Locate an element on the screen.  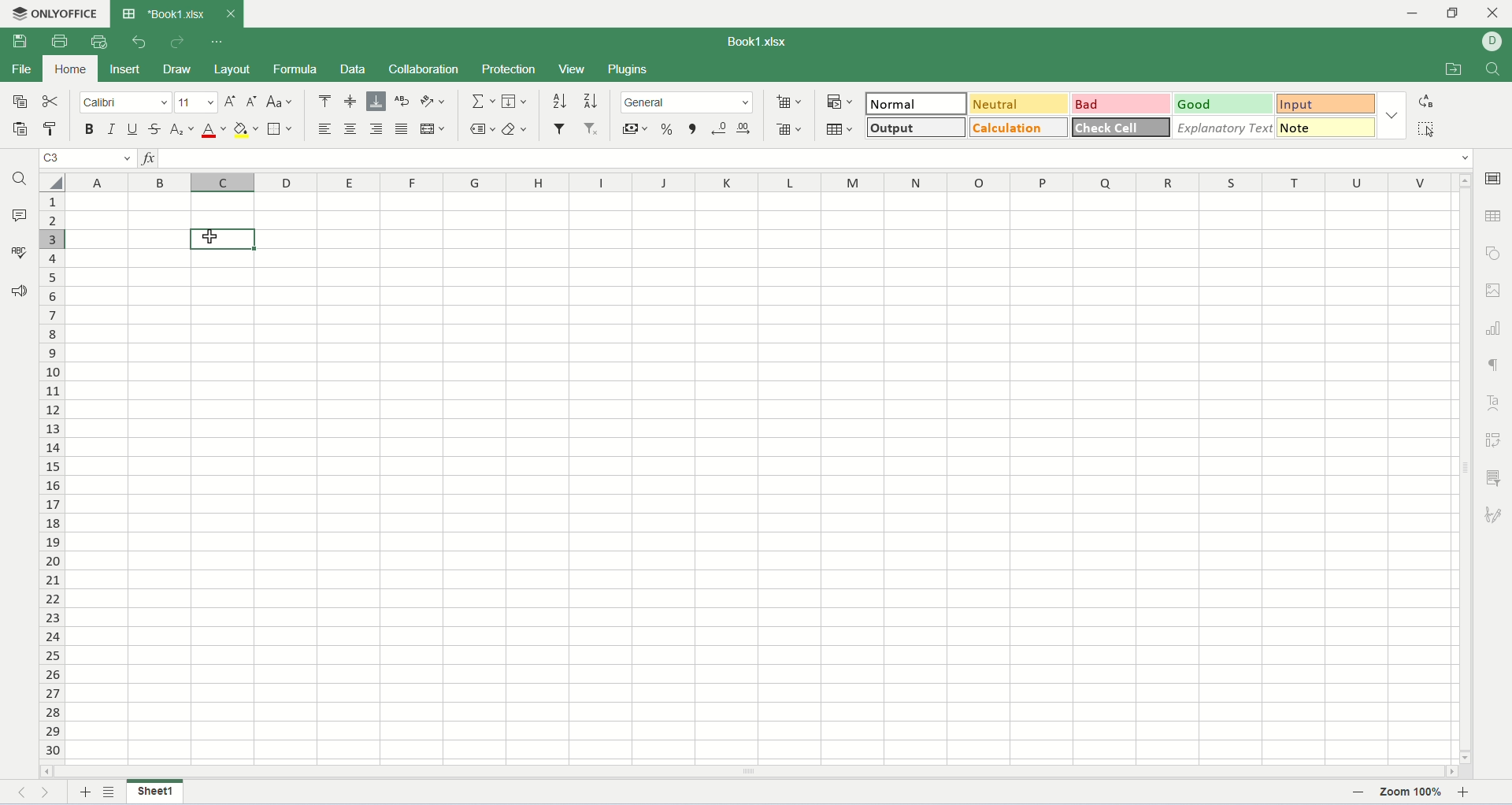
horizontal scroll bar is located at coordinates (750, 771).